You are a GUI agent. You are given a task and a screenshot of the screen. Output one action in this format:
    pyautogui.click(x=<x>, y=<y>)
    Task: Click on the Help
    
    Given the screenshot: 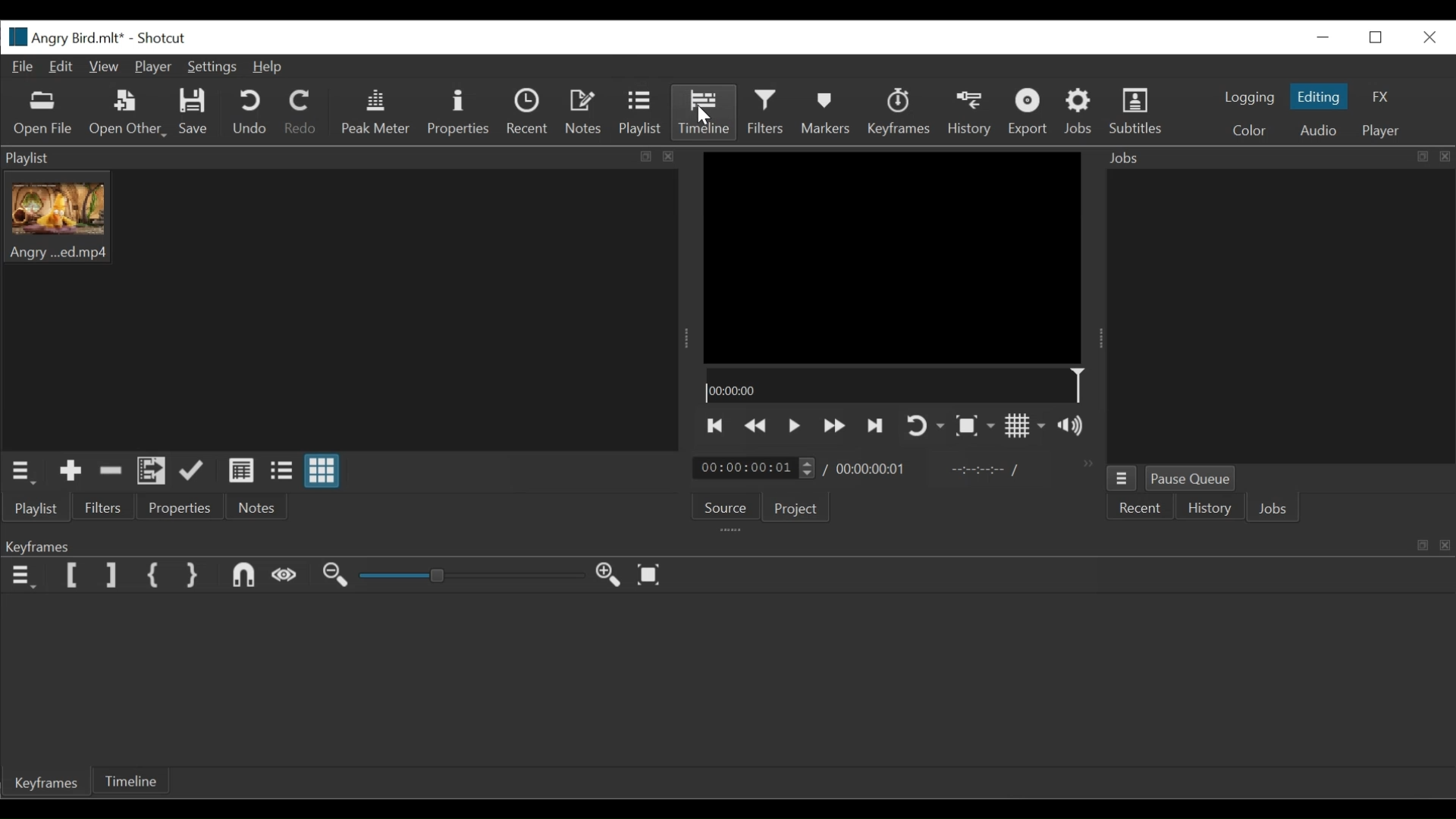 What is the action you would take?
    pyautogui.click(x=269, y=67)
    